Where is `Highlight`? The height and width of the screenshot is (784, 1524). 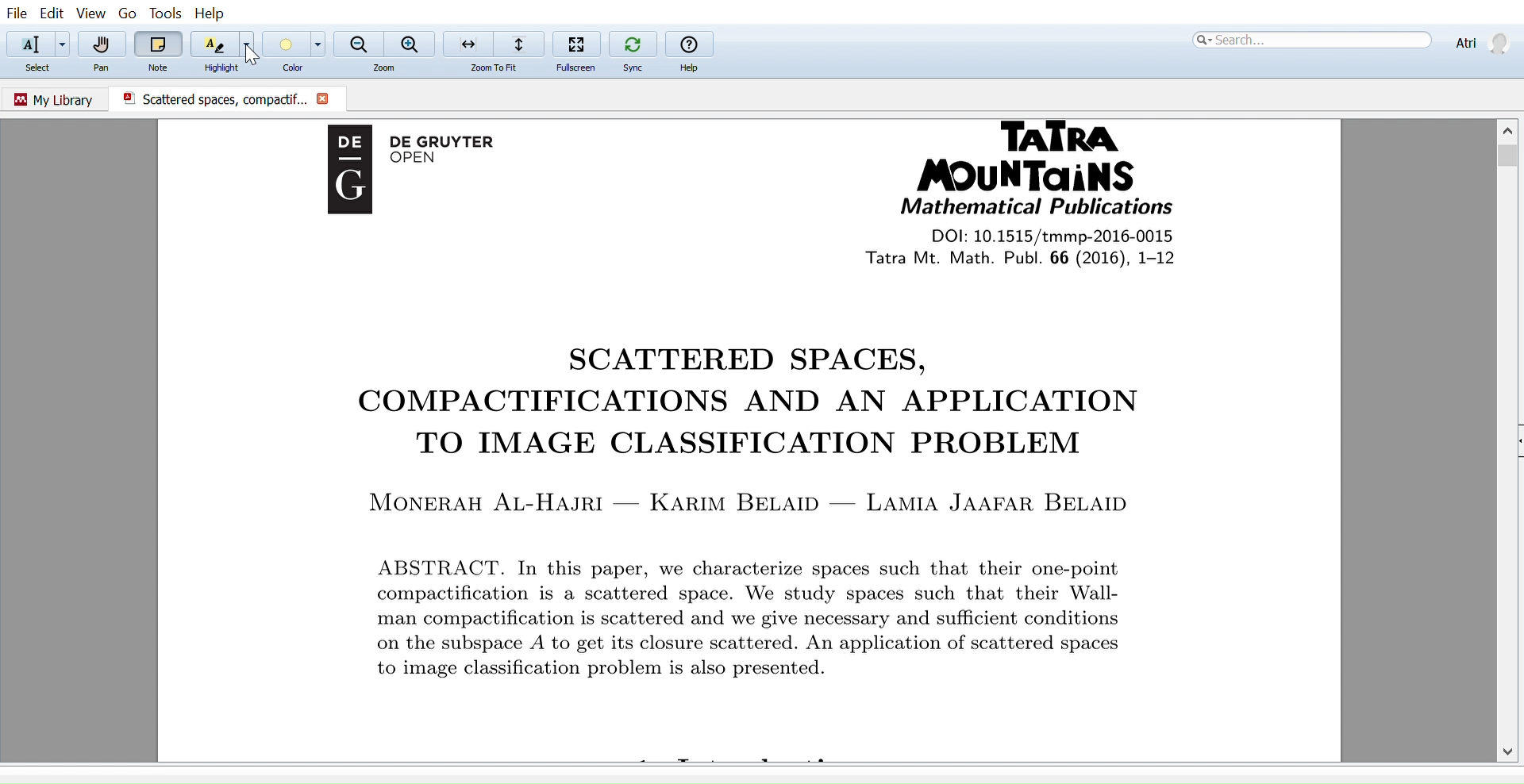
Highlight is located at coordinates (214, 44).